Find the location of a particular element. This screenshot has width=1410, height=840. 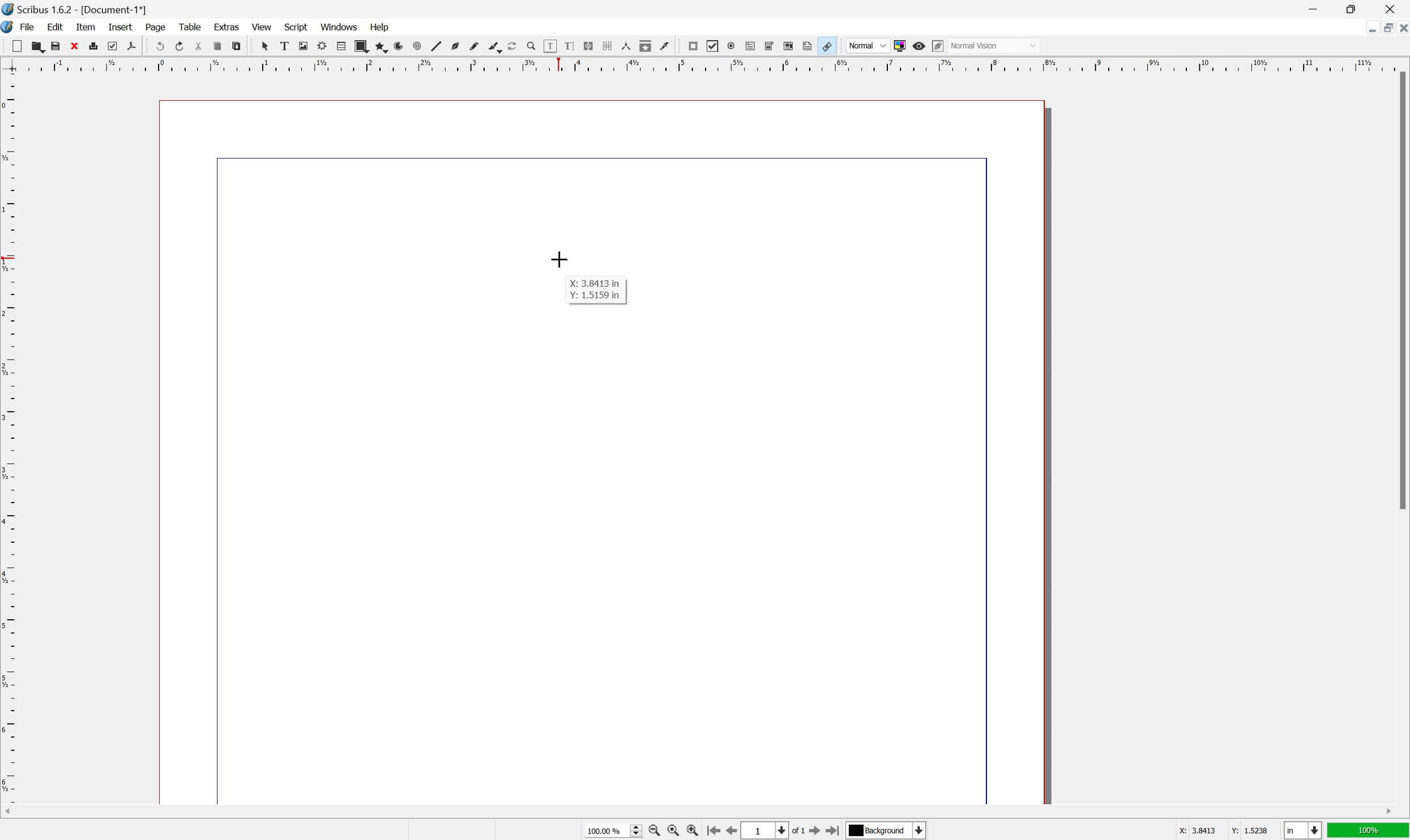

table is located at coordinates (341, 46).